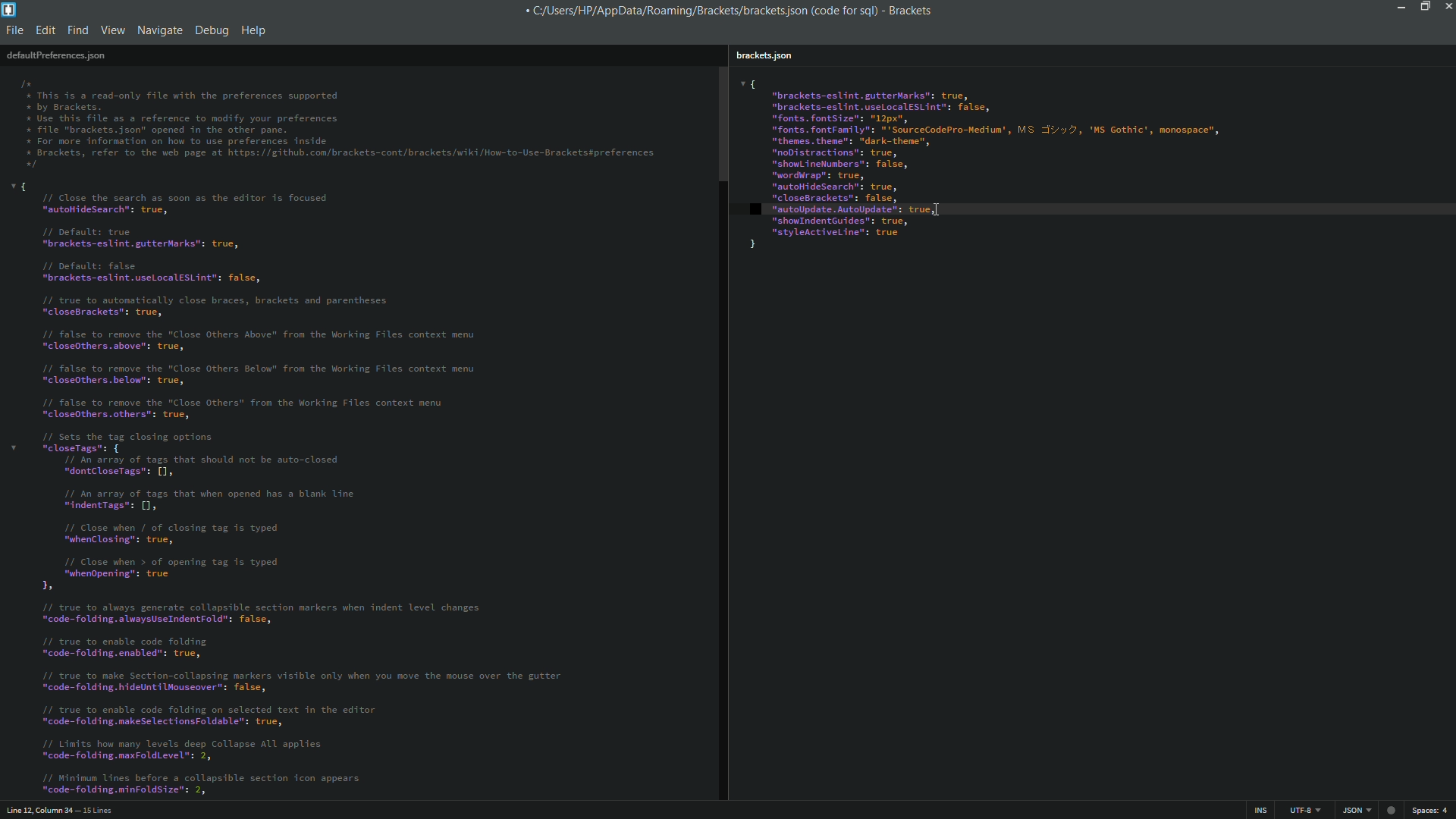 The width and height of the screenshot is (1456, 819). What do you see at coordinates (113, 30) in the screenshot?
I see `view menu` at bounding box center [113, 30].